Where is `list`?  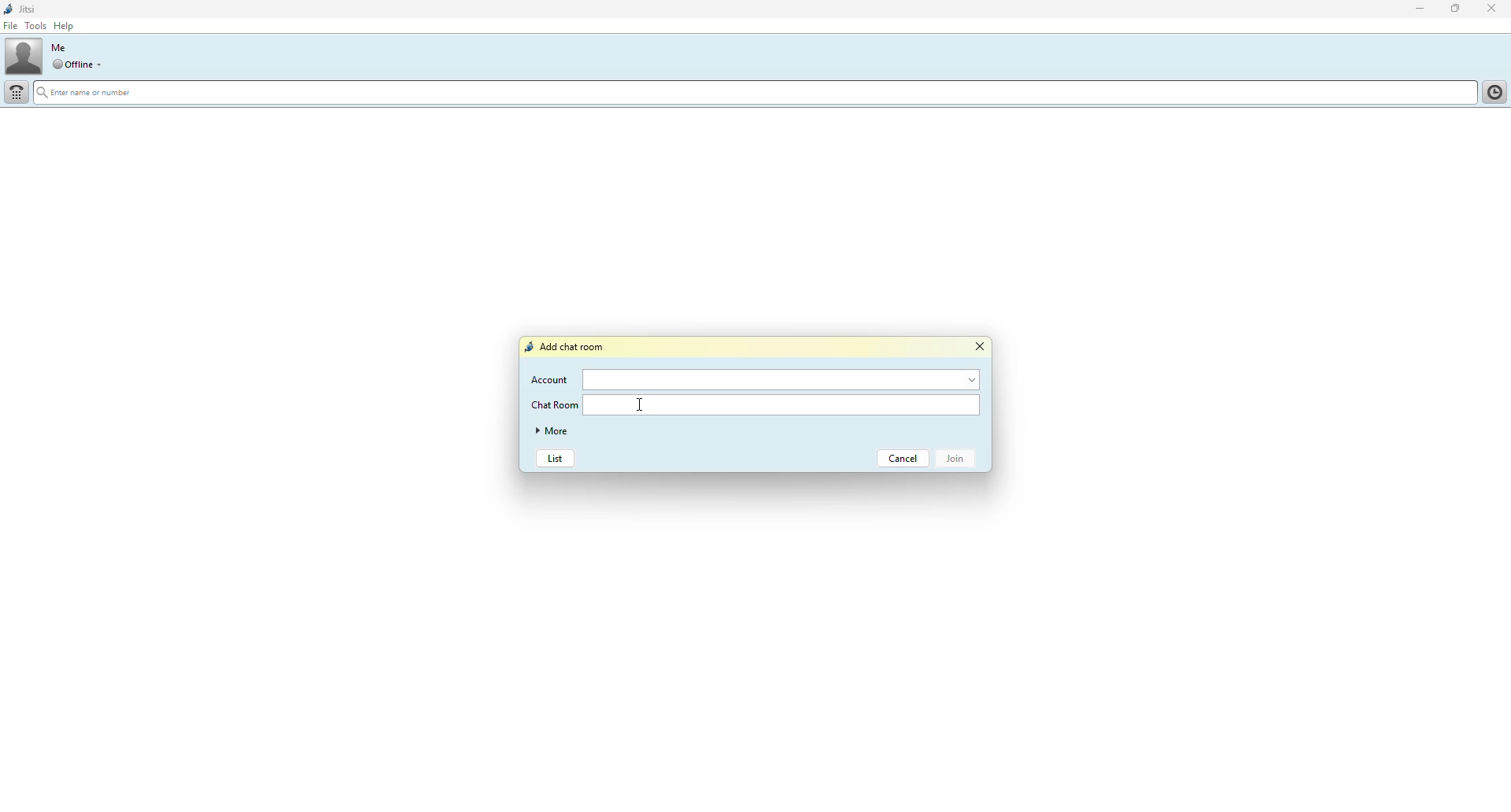
list is located at coordinates (555, 460).